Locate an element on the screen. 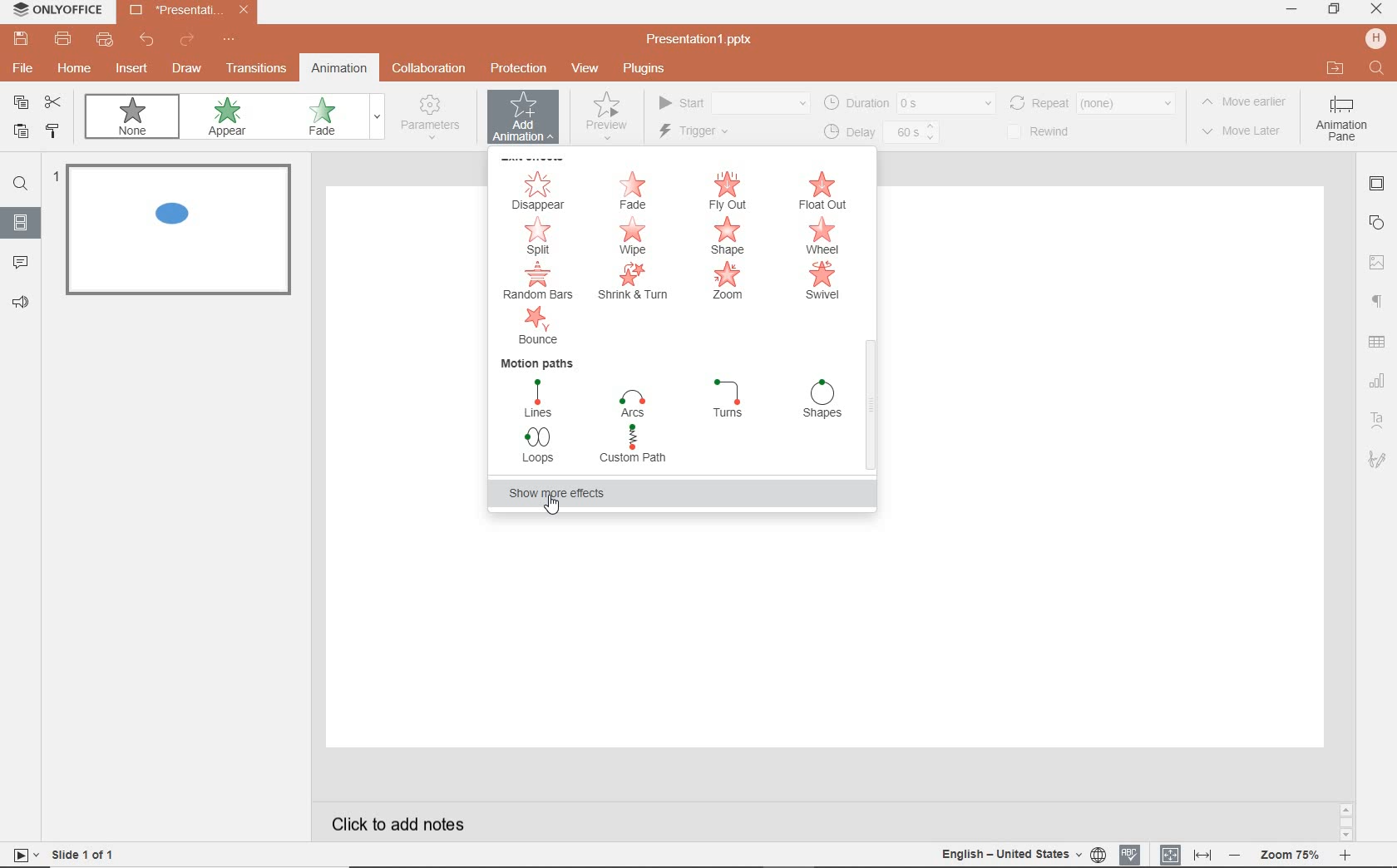 The image size is (1397, 868). fit to slide is located at coordinates (1171, 851).